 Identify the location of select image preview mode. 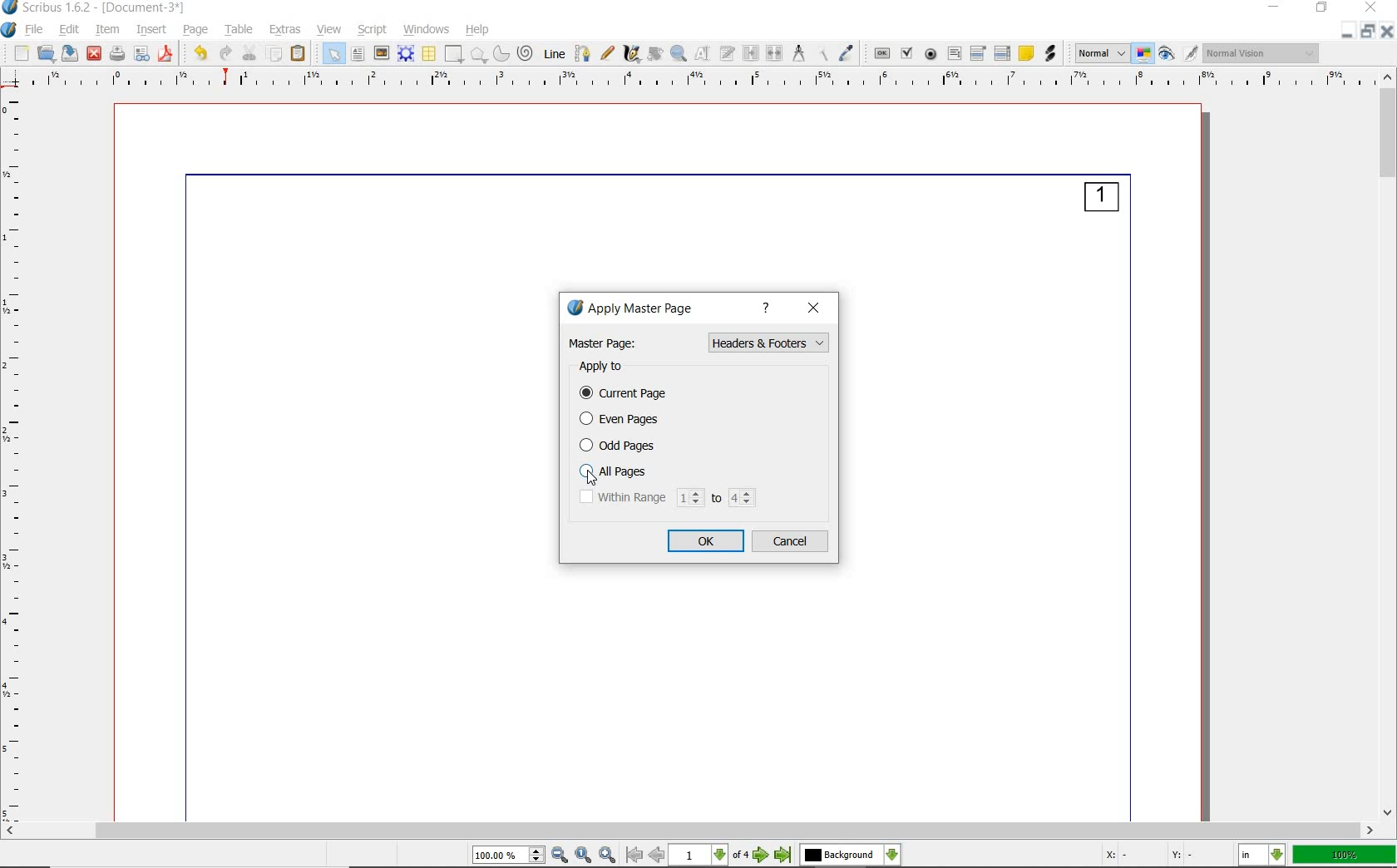
(1100, 55).